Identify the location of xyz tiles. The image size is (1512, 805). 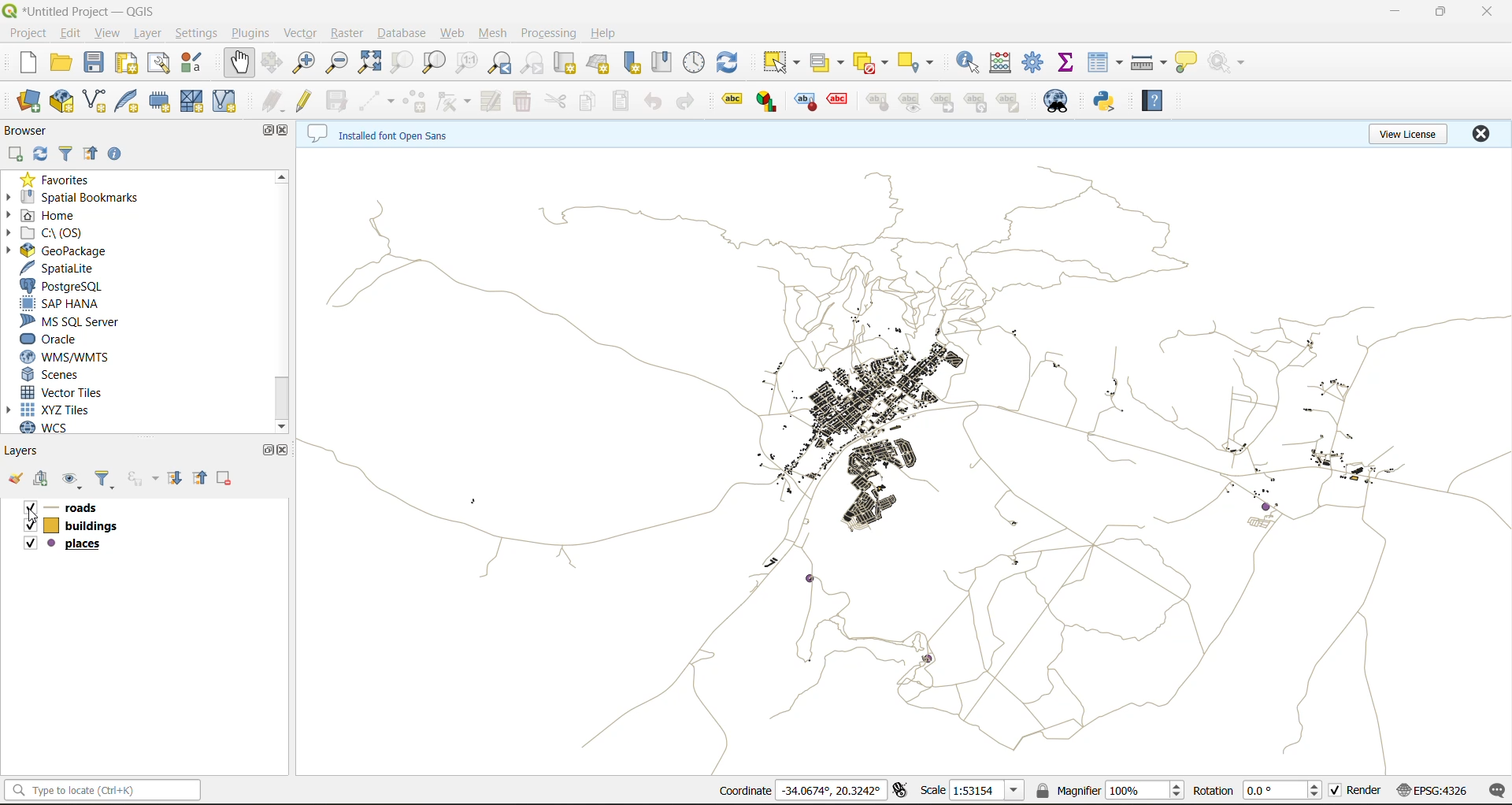
(70, 412).